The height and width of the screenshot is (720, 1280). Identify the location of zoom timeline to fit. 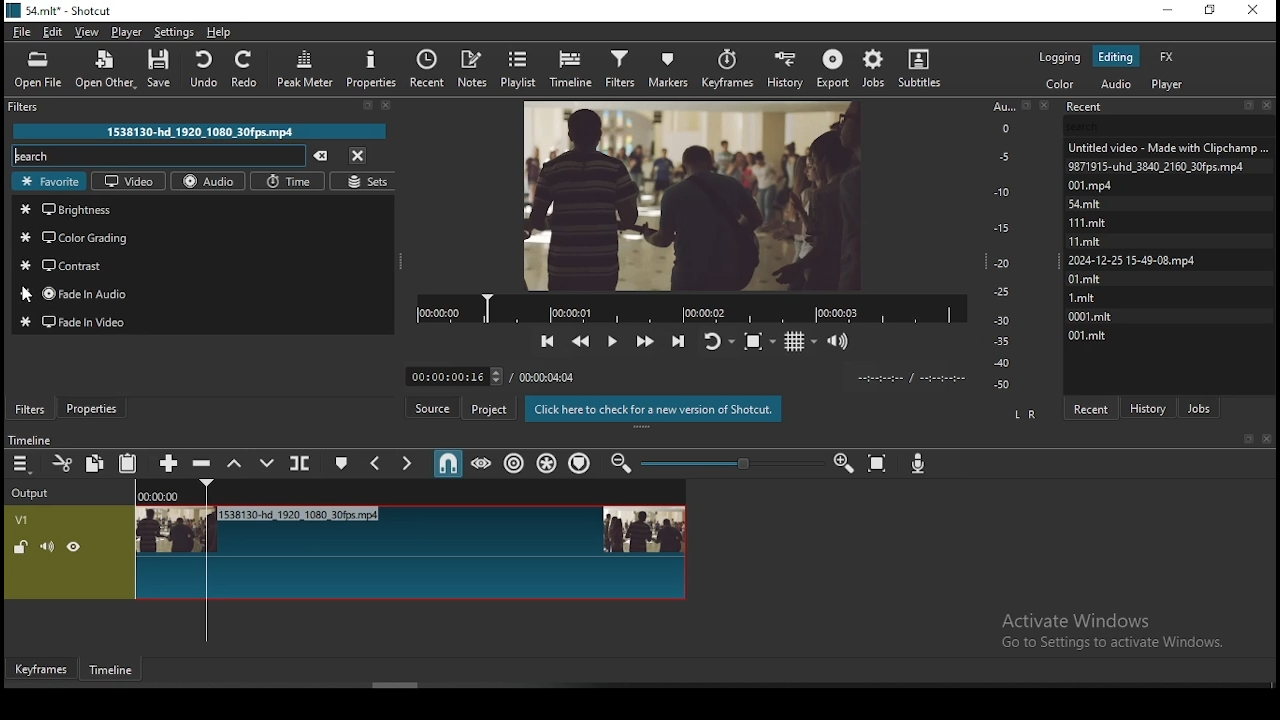
(881, 465).